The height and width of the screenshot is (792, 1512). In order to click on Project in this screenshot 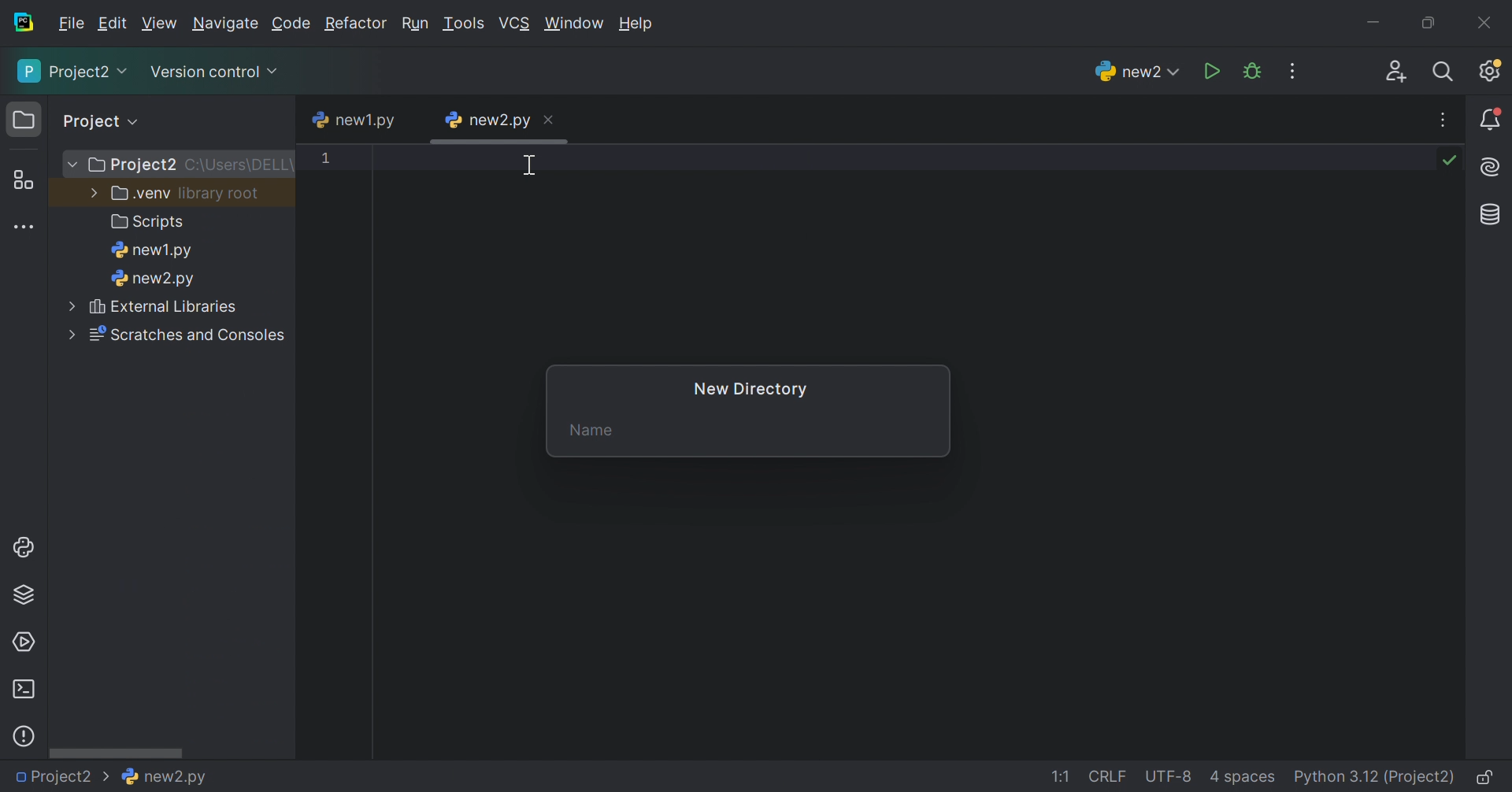, I will do `click(102, 119)`.